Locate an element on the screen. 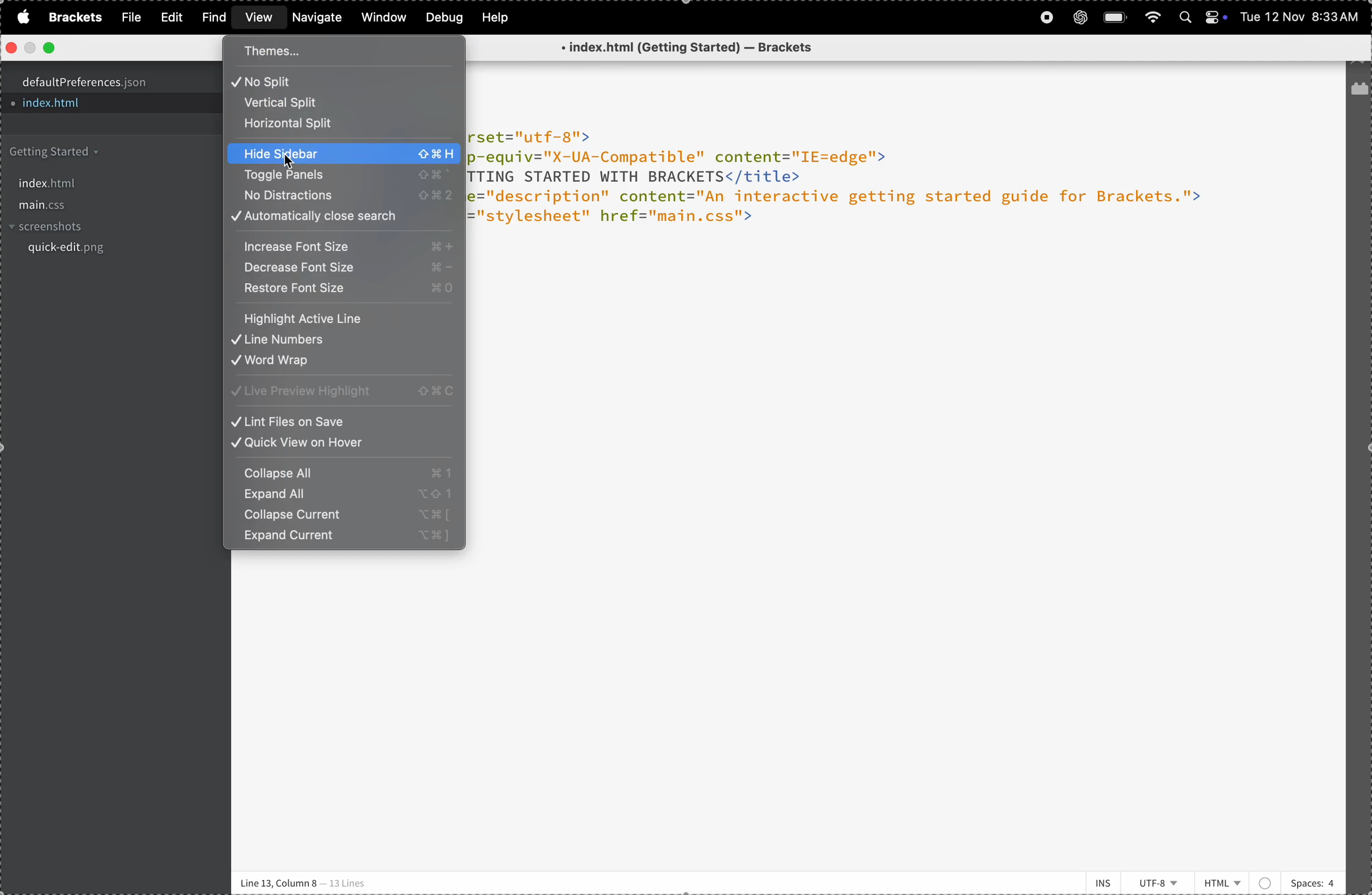  horizontal split is located at coordinates (334, 124).